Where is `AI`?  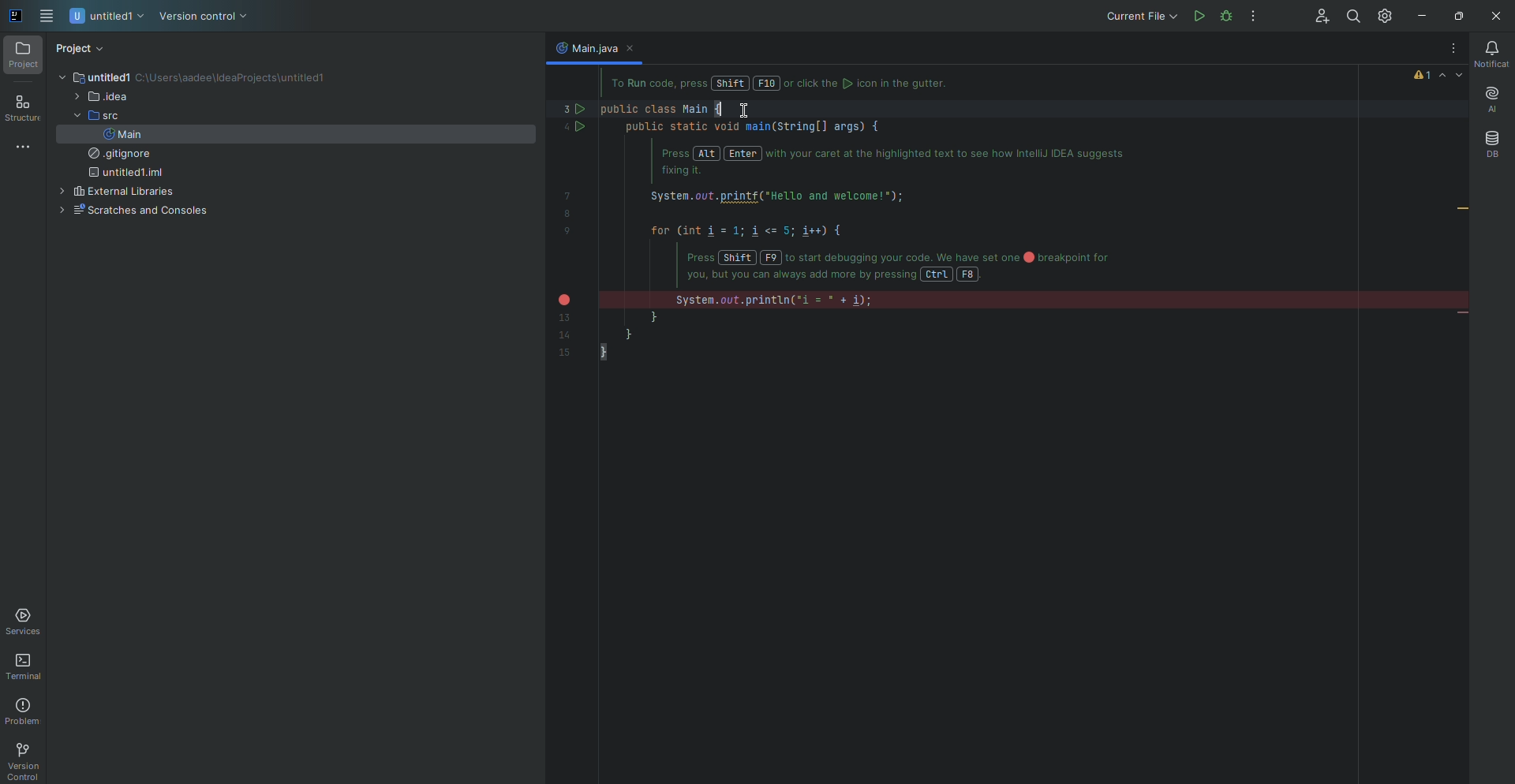
AI is located at coordinates (1490, 100).